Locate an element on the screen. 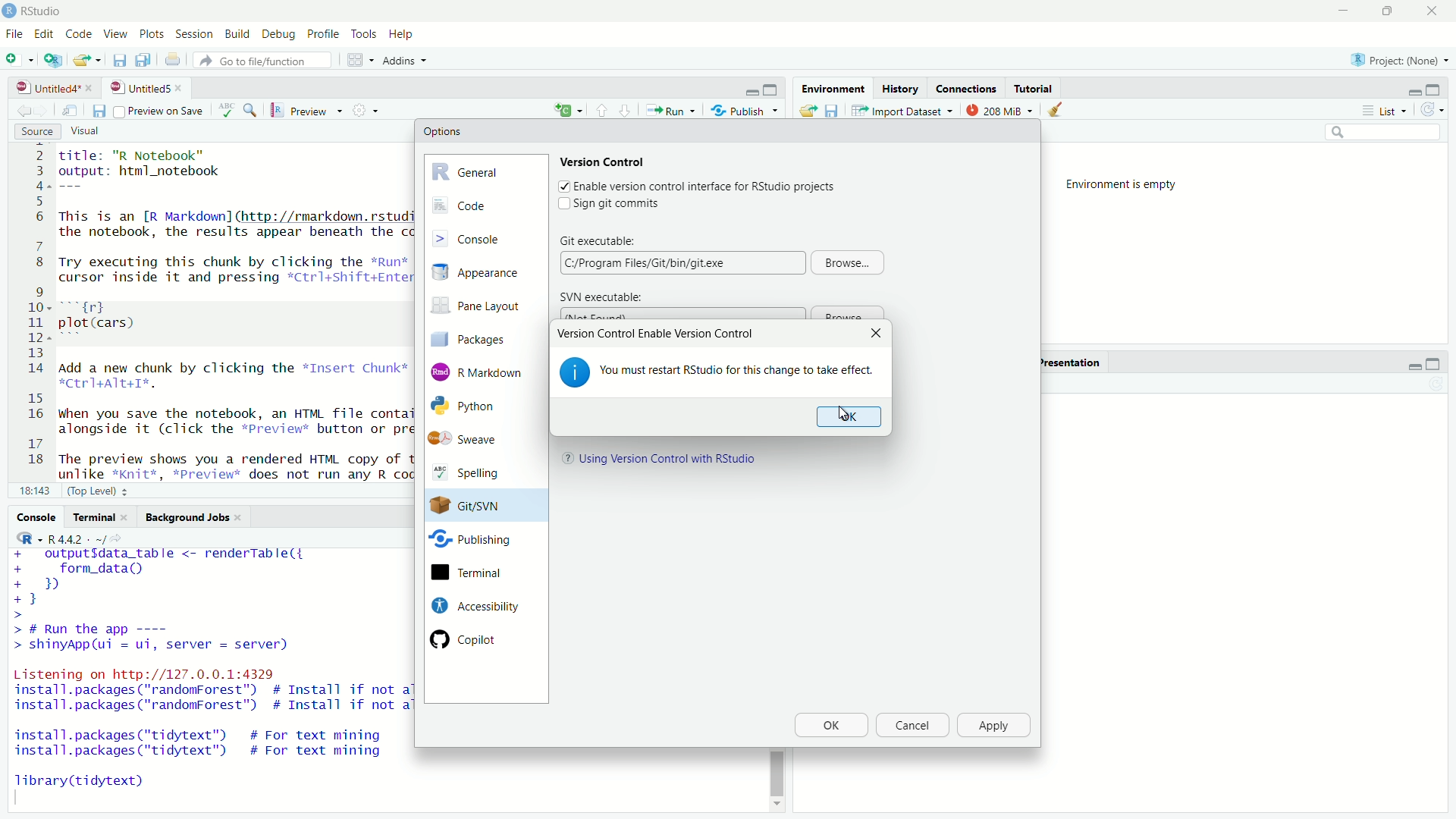  minimise is located at coordinates (1340, 11).